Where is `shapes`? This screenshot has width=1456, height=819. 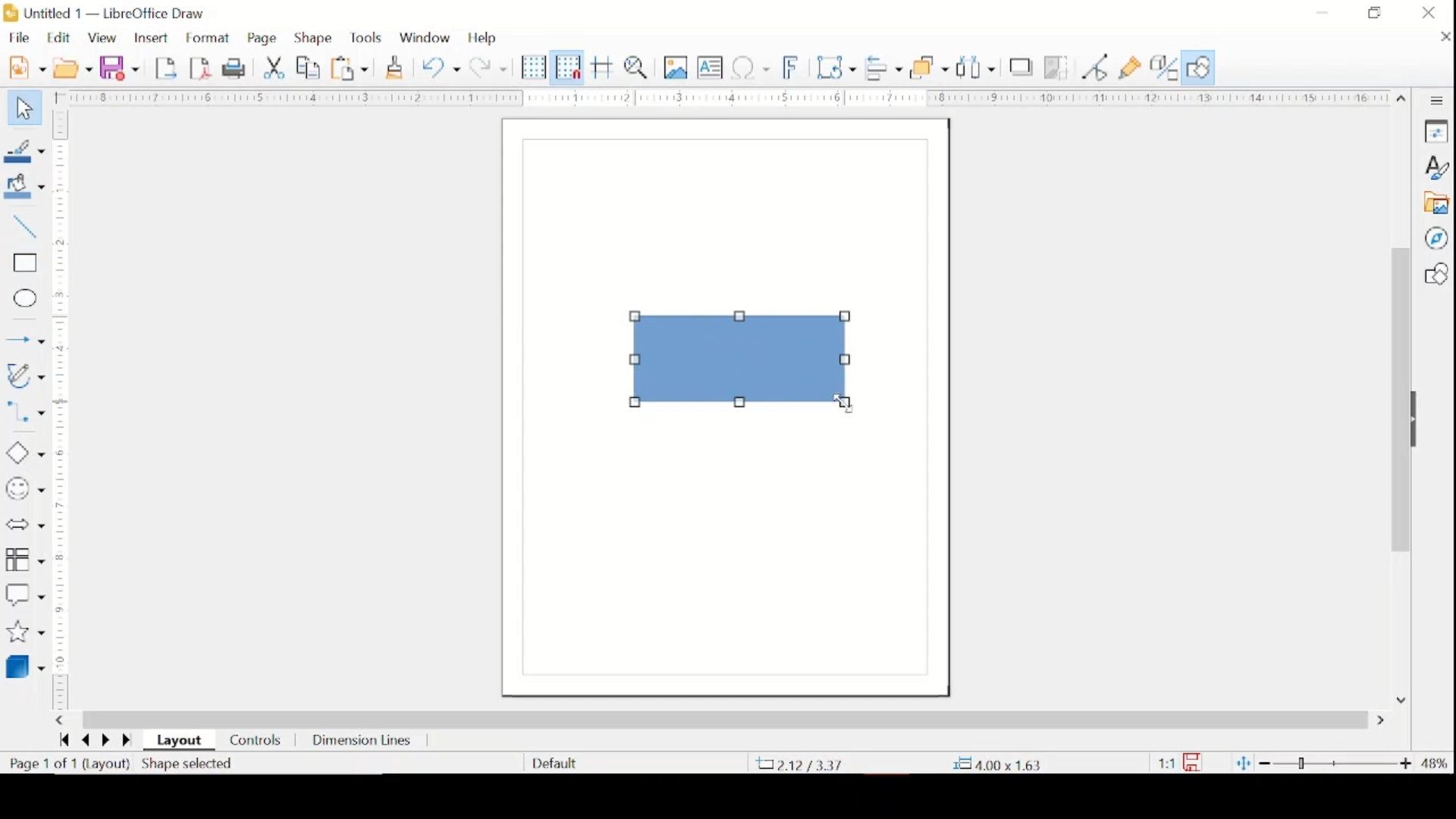 shapes is located at coordinates (1436, 274).